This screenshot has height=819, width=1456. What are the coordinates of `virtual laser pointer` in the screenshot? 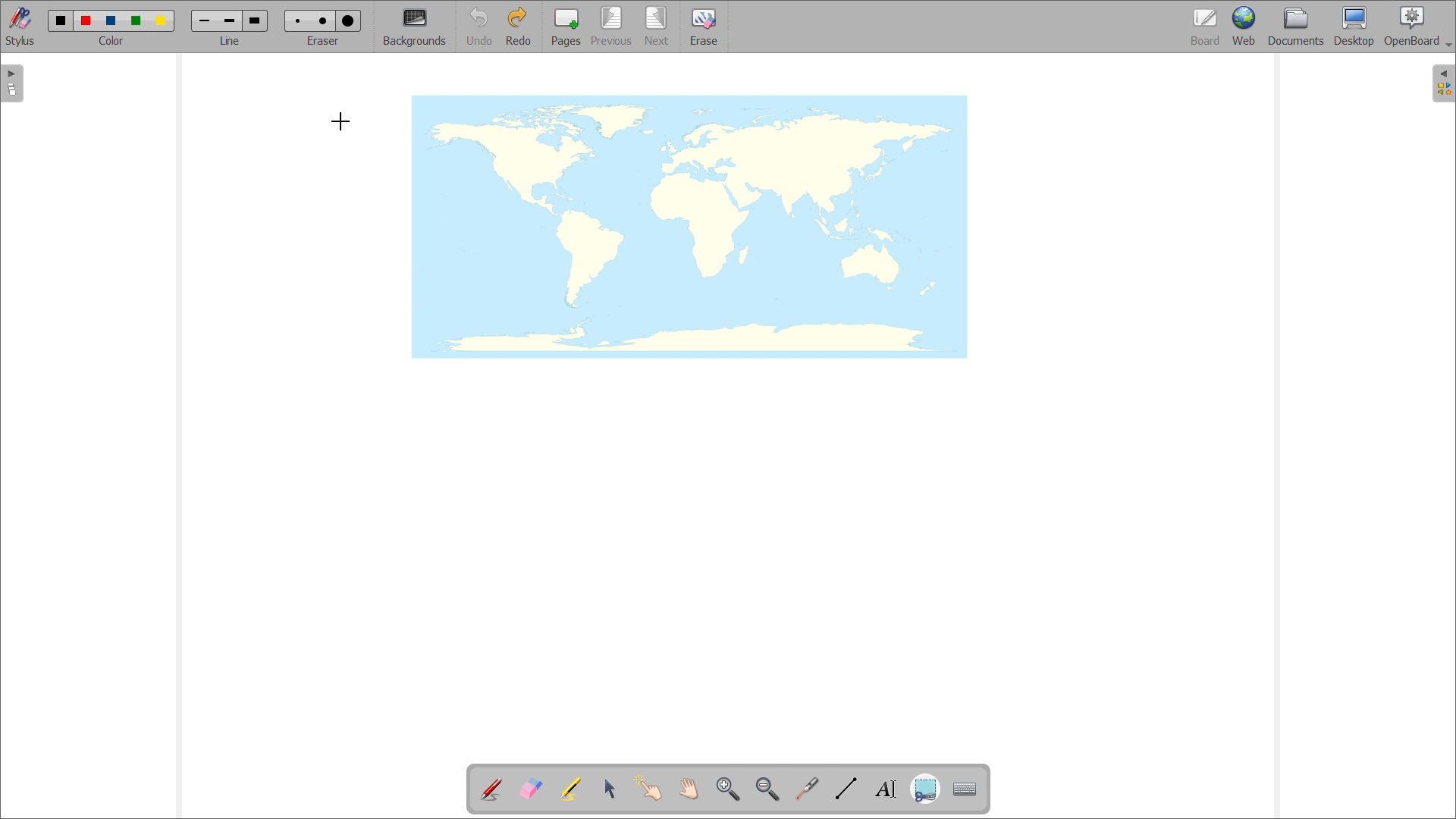 It's located at (806, 789).